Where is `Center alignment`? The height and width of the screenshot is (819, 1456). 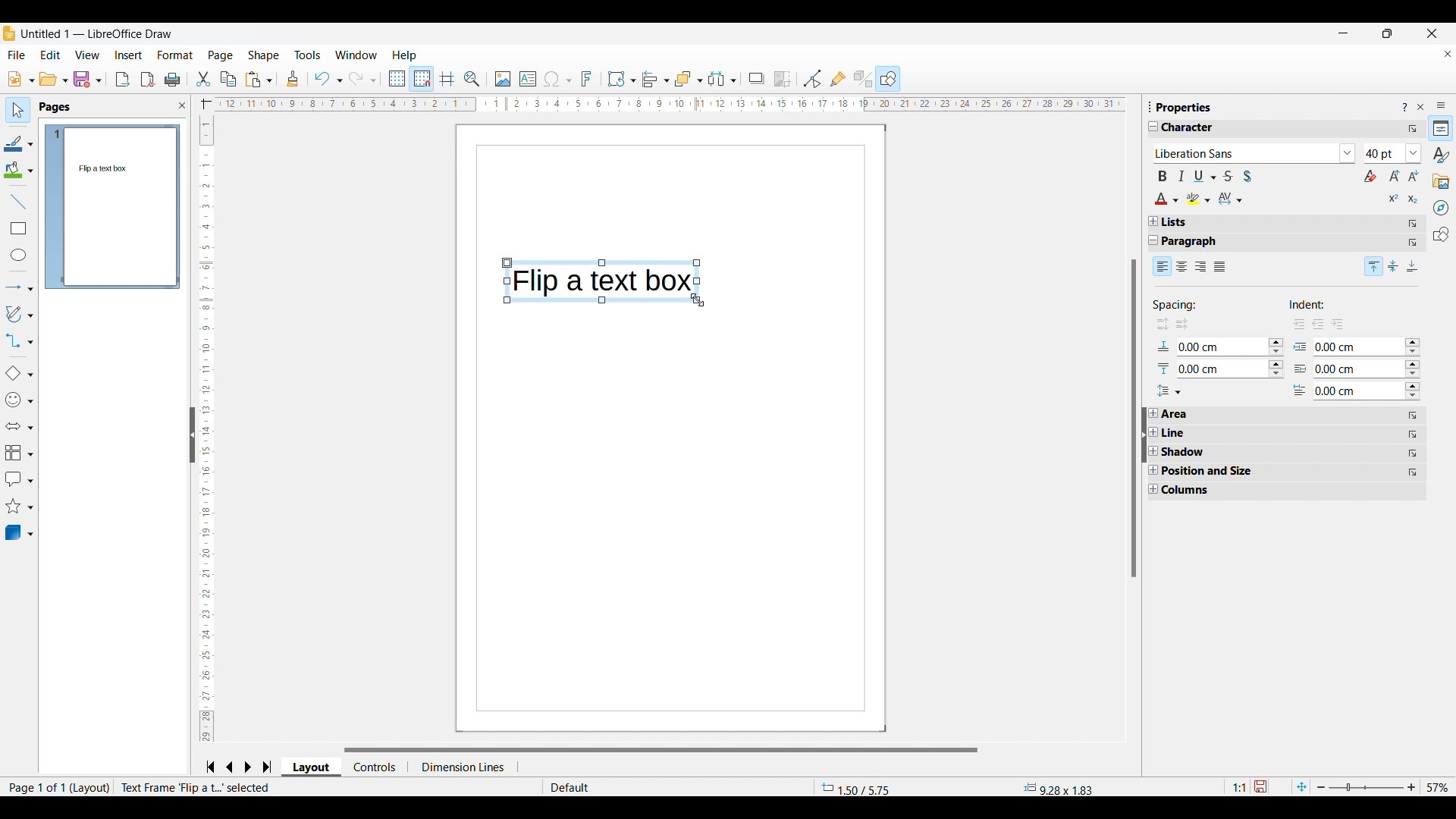
Center alignment is located at coordinates (1182, 267).